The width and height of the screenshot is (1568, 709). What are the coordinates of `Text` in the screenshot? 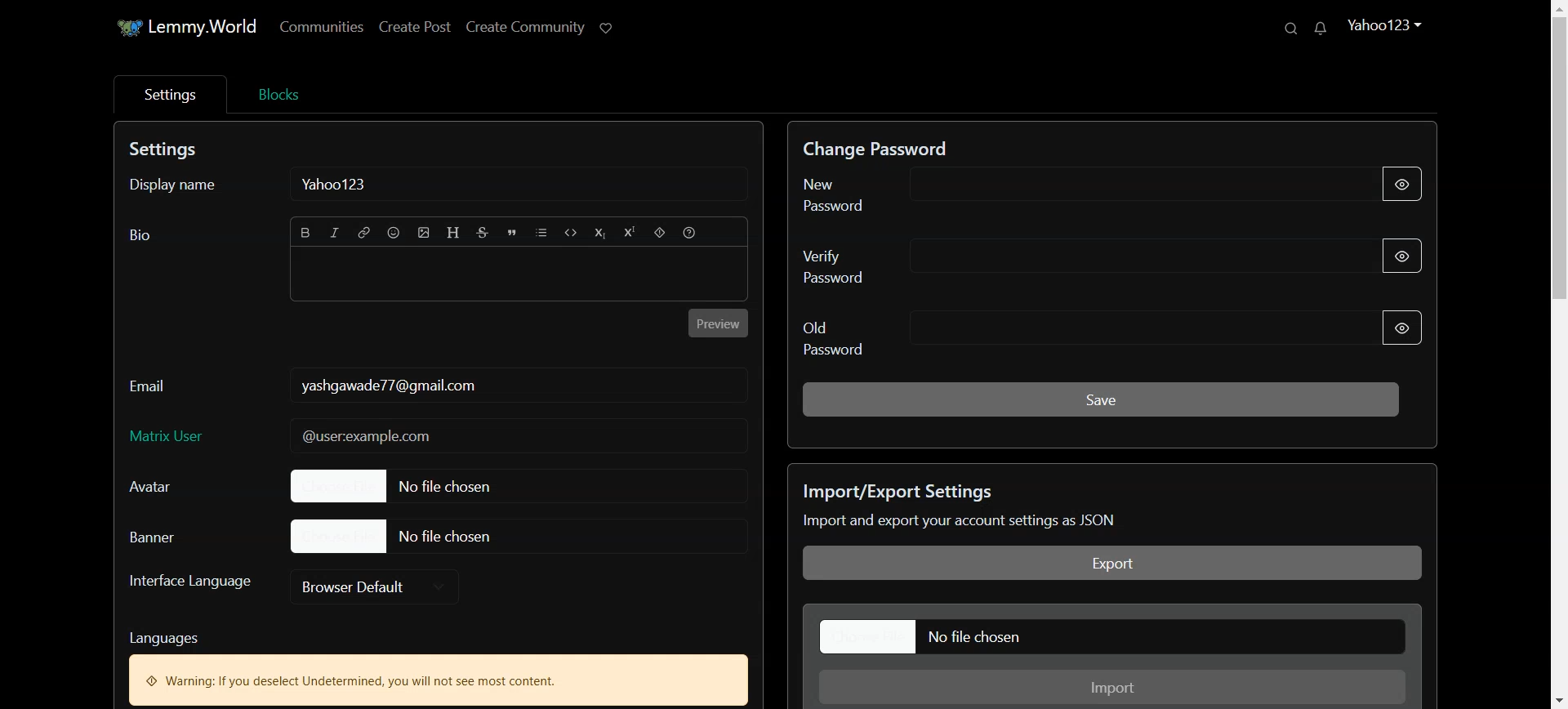 It's located at (167, 151).